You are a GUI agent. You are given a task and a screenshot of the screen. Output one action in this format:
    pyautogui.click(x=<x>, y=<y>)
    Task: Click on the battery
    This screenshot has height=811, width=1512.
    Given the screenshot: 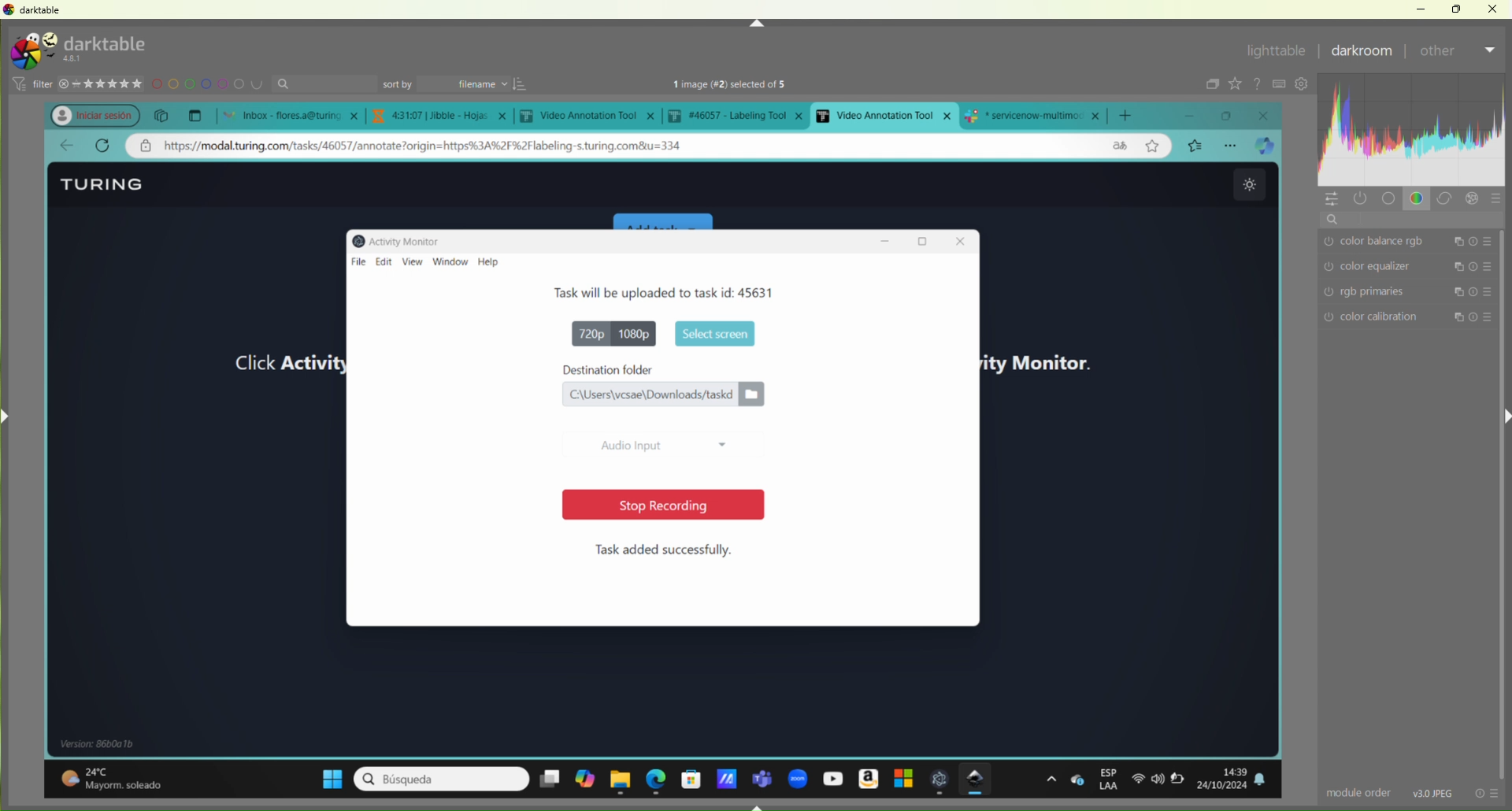 What is the action you would take?
    pyautogui.click(x=1183, y=783)
    